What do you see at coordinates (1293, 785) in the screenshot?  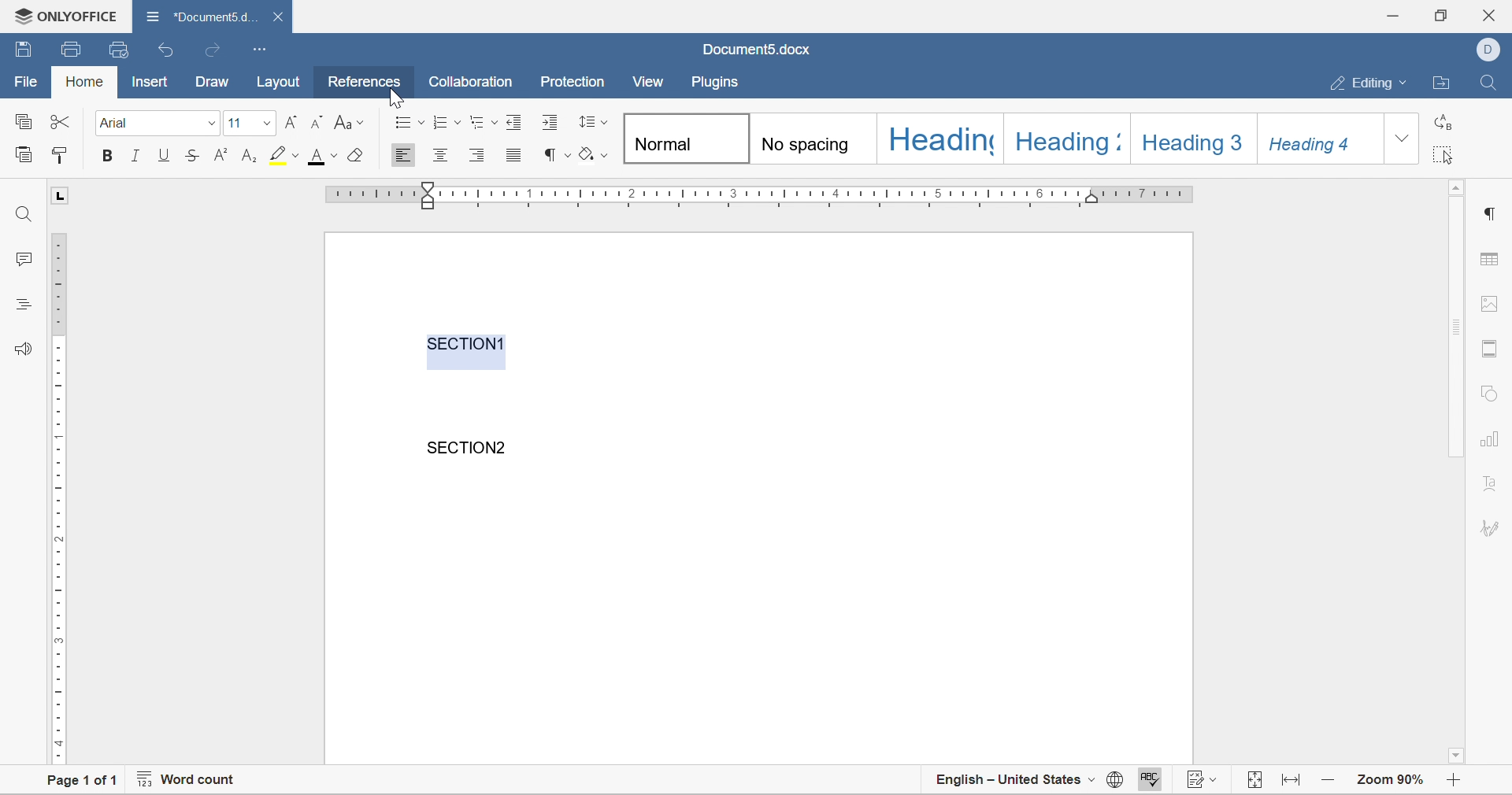 I see `fit to width` at bounding box center [1293, 785].